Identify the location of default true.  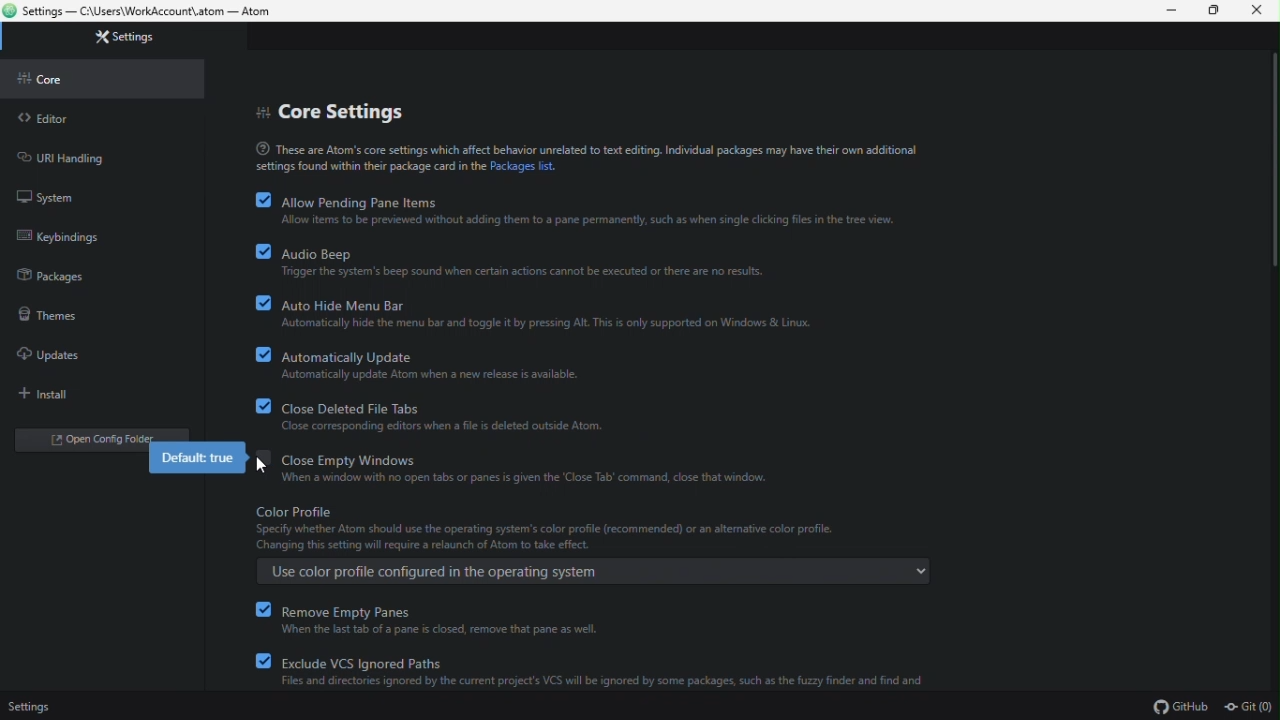
(200, 460).